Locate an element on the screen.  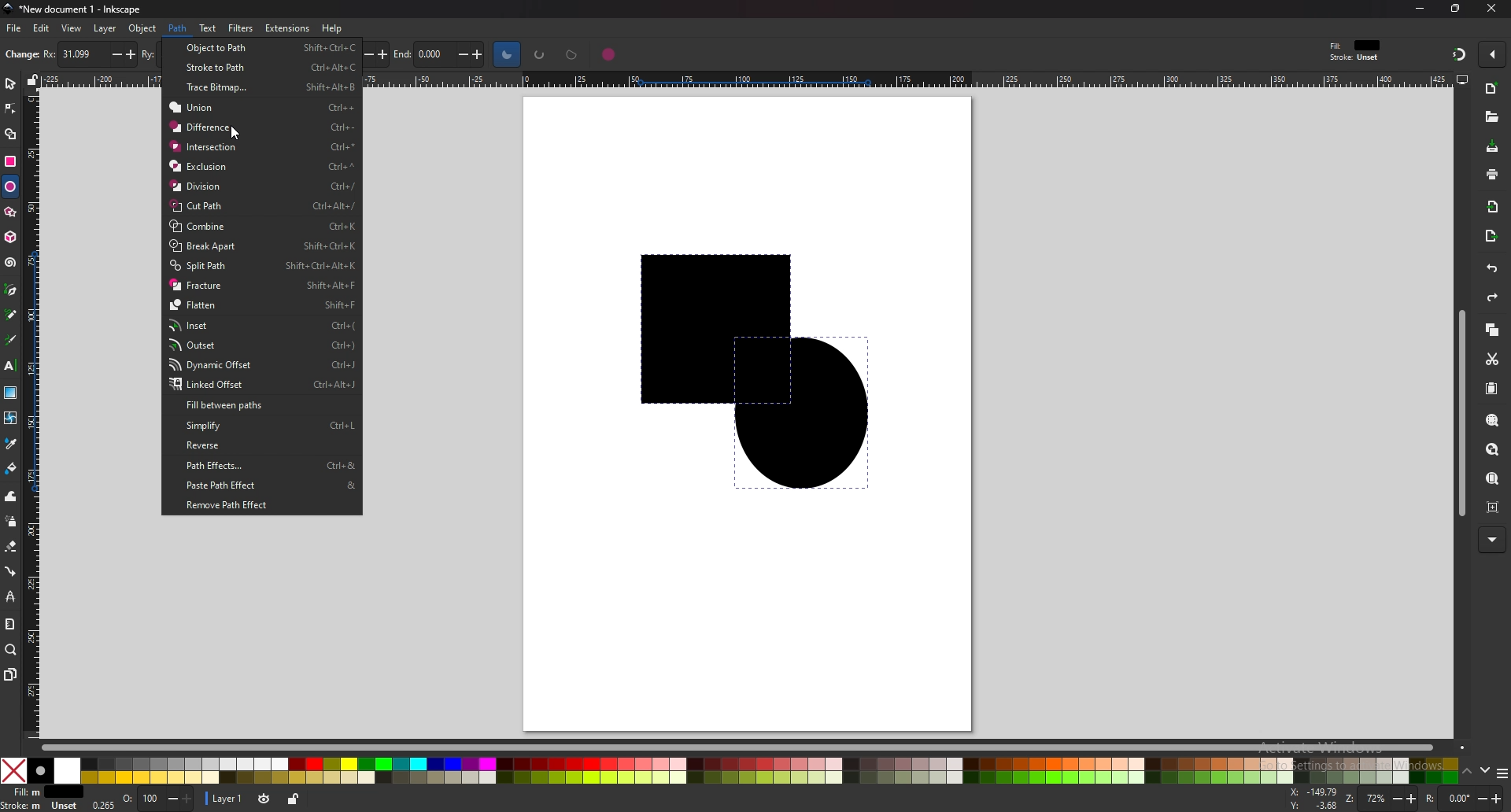
end is located at coordinates (443, 55).